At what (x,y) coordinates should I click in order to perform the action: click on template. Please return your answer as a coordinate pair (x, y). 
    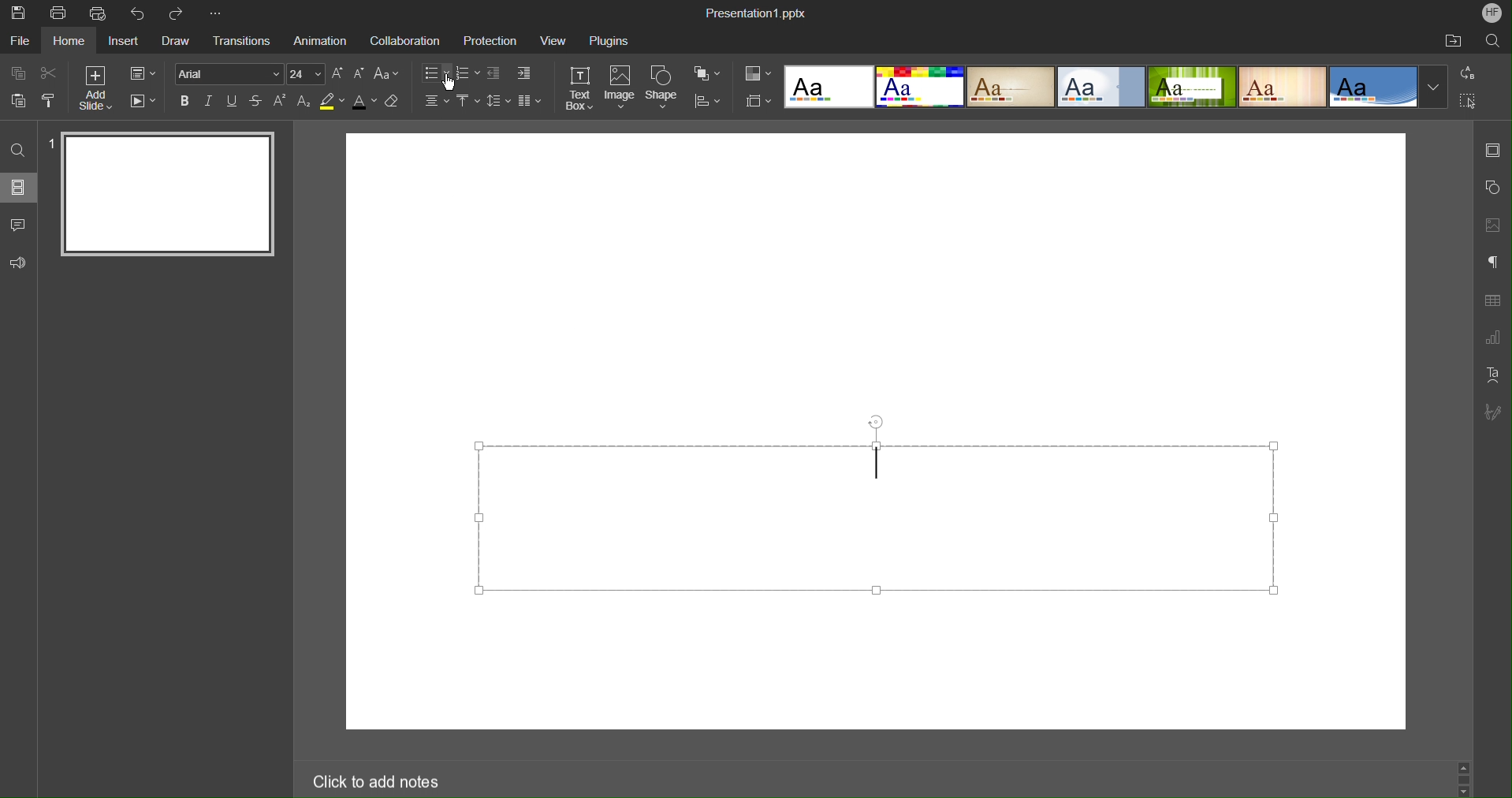
    Looking at the image, I should click on (1372, 87).